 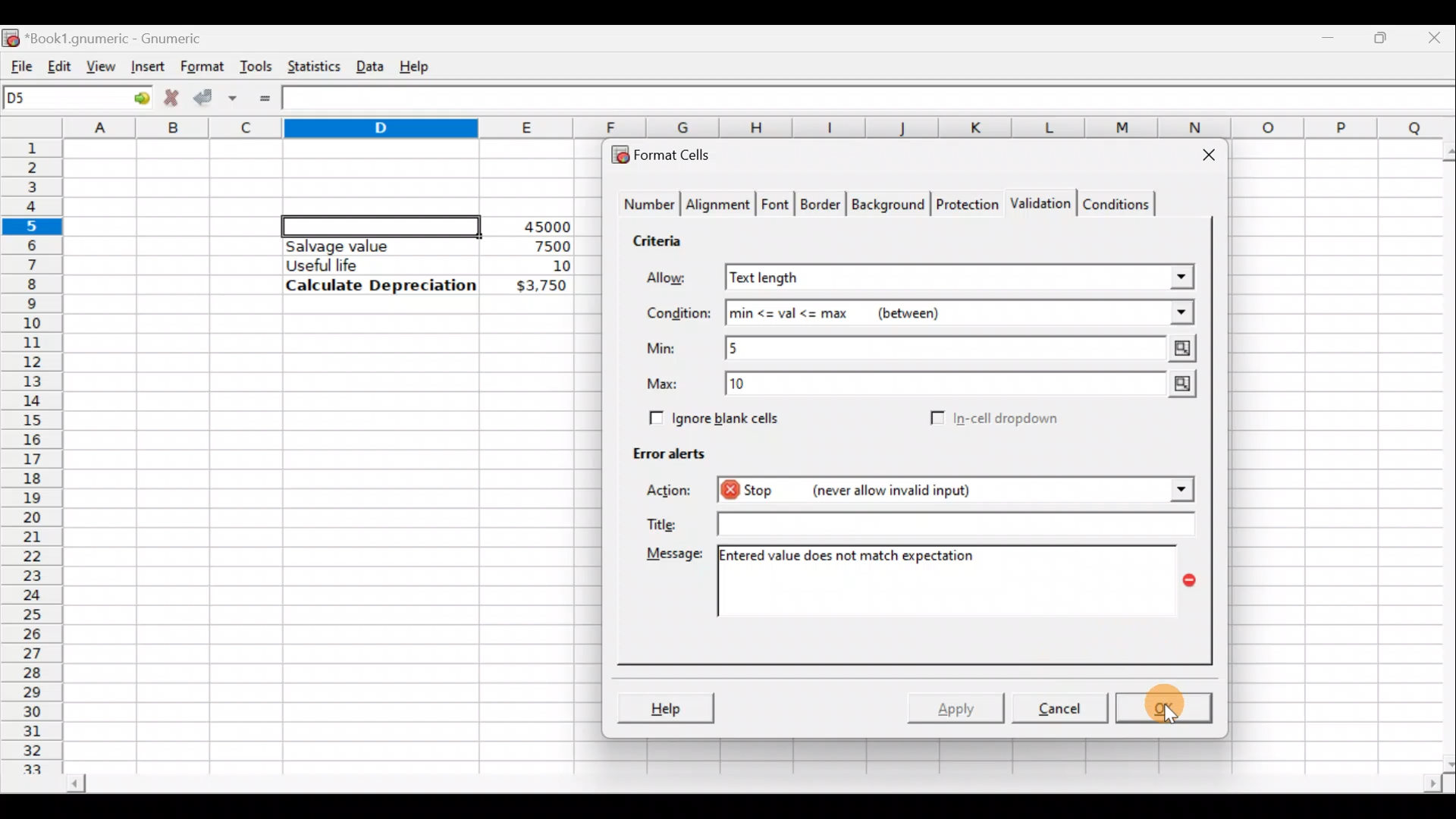 What do you see at coordinates (1332, 34) in the screenshot?
I see `Minimize` at bounding box center [1332, 34].